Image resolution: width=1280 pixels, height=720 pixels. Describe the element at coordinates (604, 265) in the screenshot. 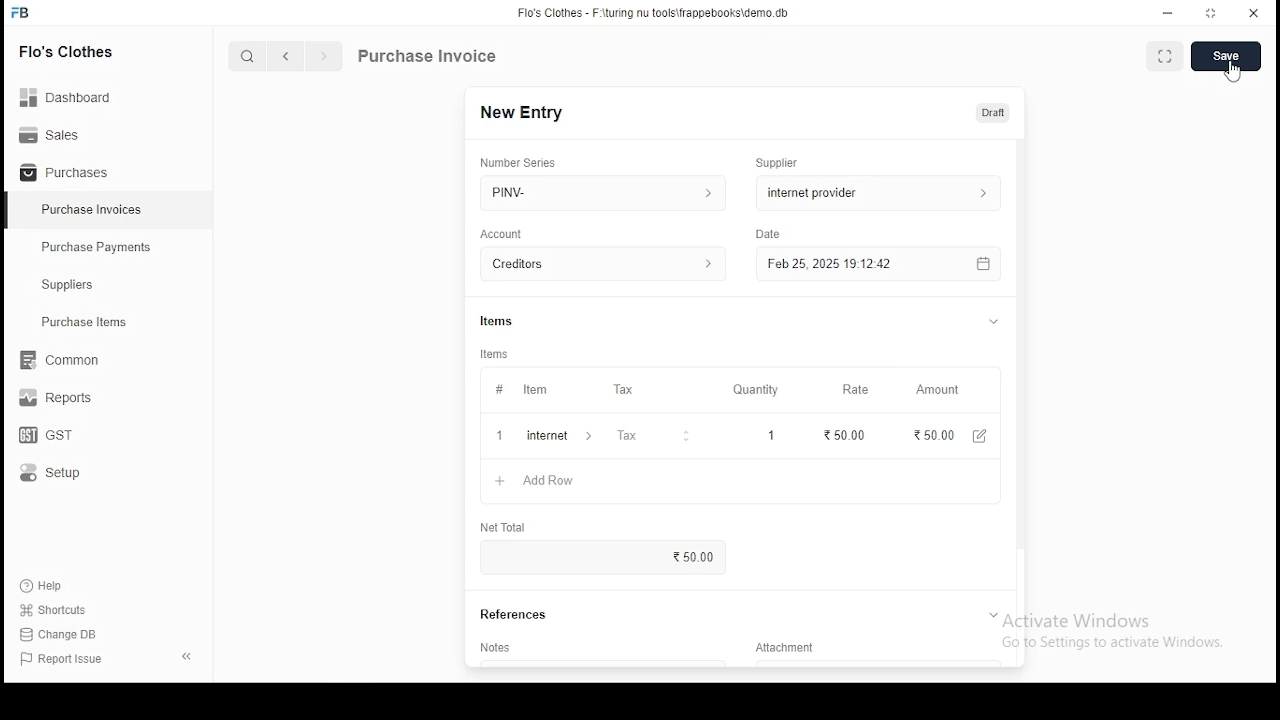

I see `account` at that location.